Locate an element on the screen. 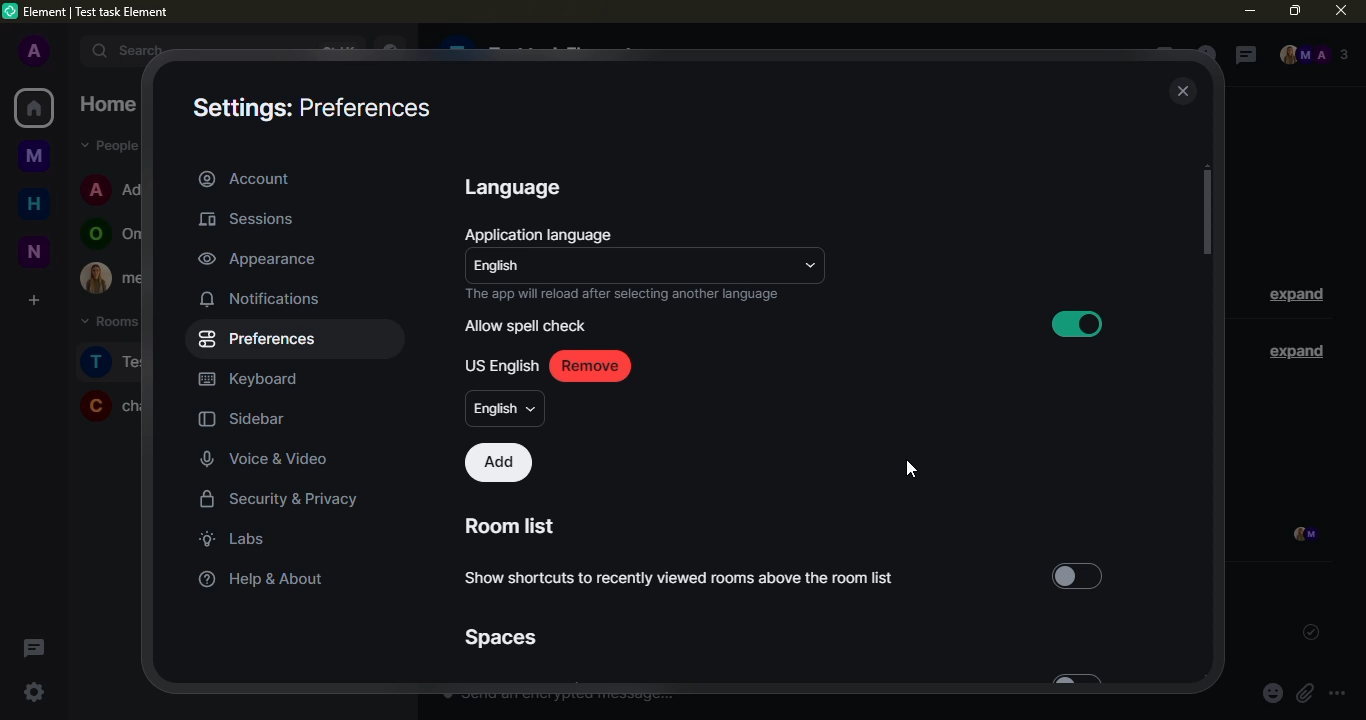  account is located at coordinates (245, 178).